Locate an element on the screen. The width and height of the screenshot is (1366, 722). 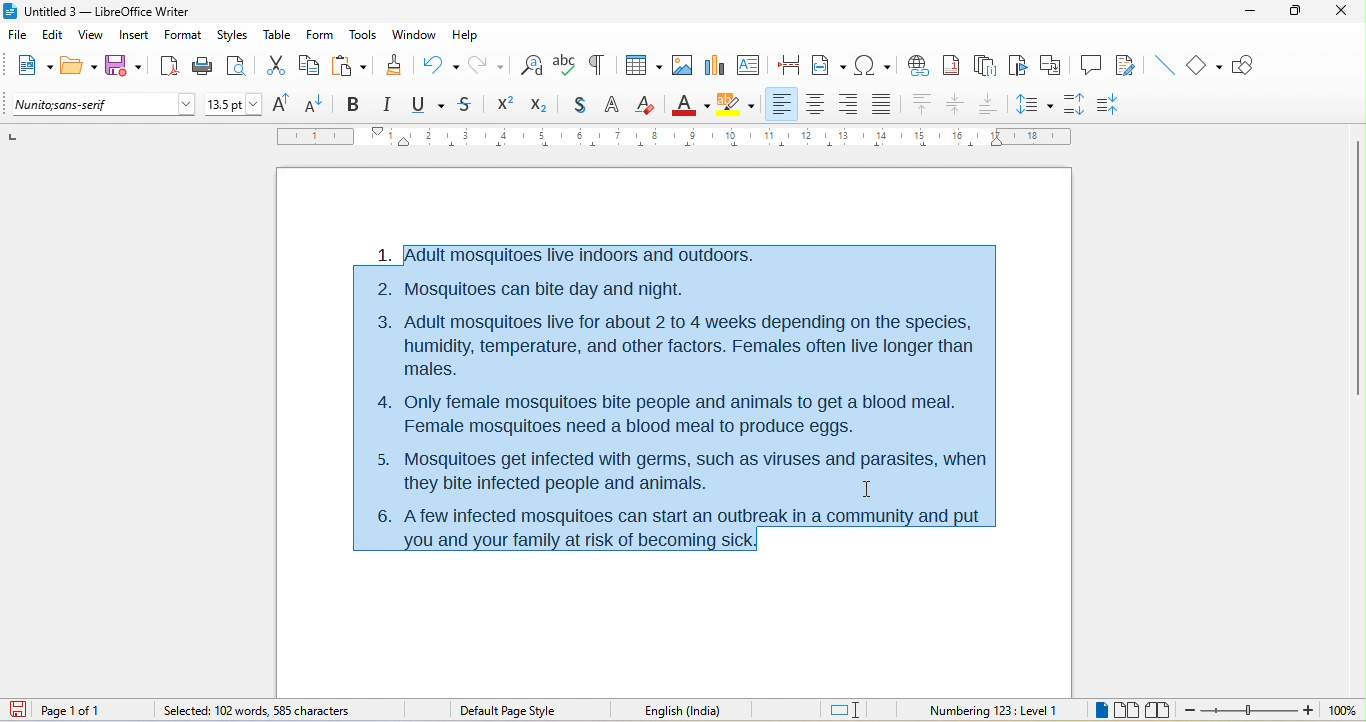
Untitled 3 — LibreOffice Writer is located at coordinates (105, 11).